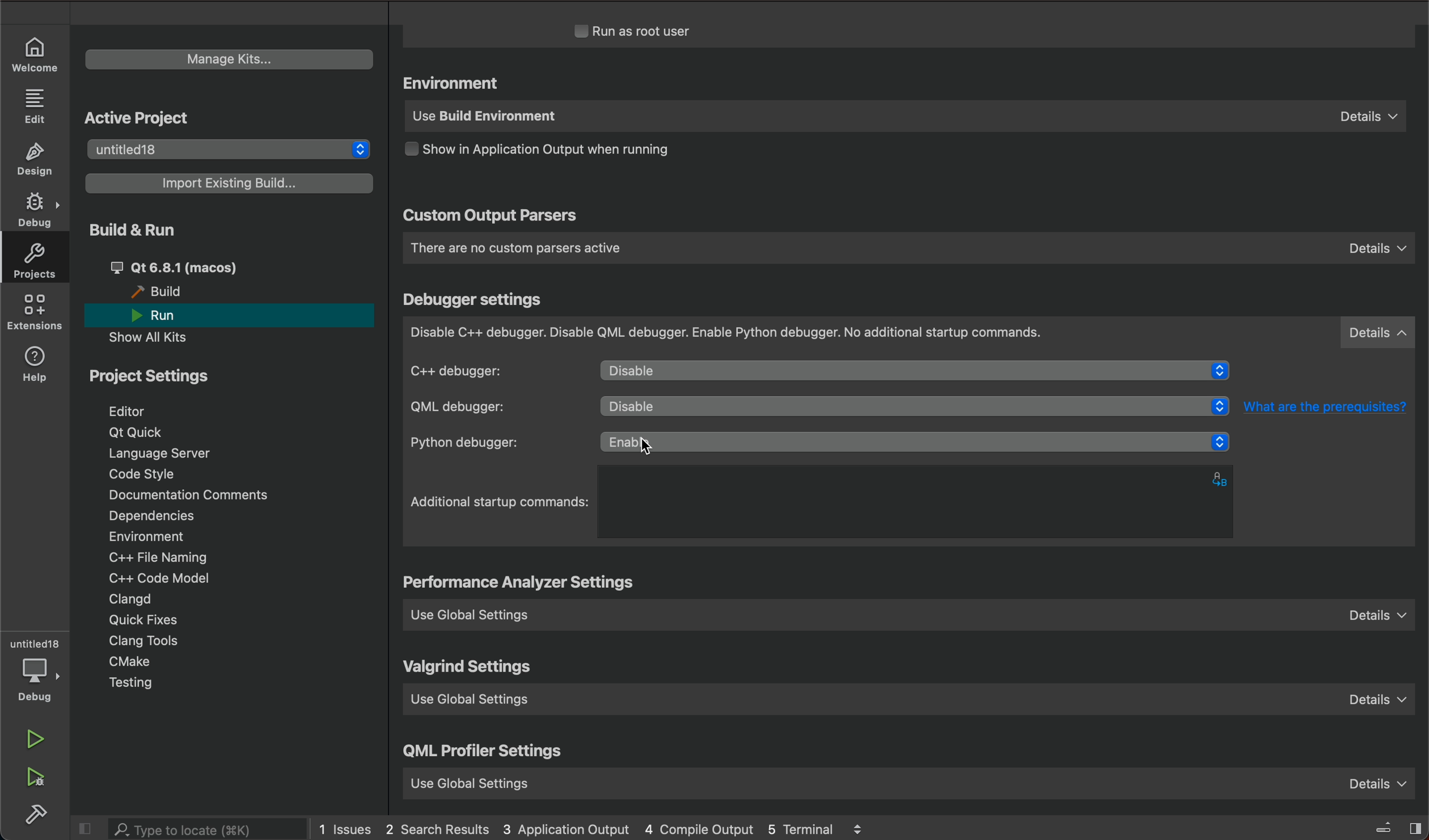  What do you see at coordinates (202, 496) in the screenshot?
I see `Documentation ` at bounding box center [202, 496].